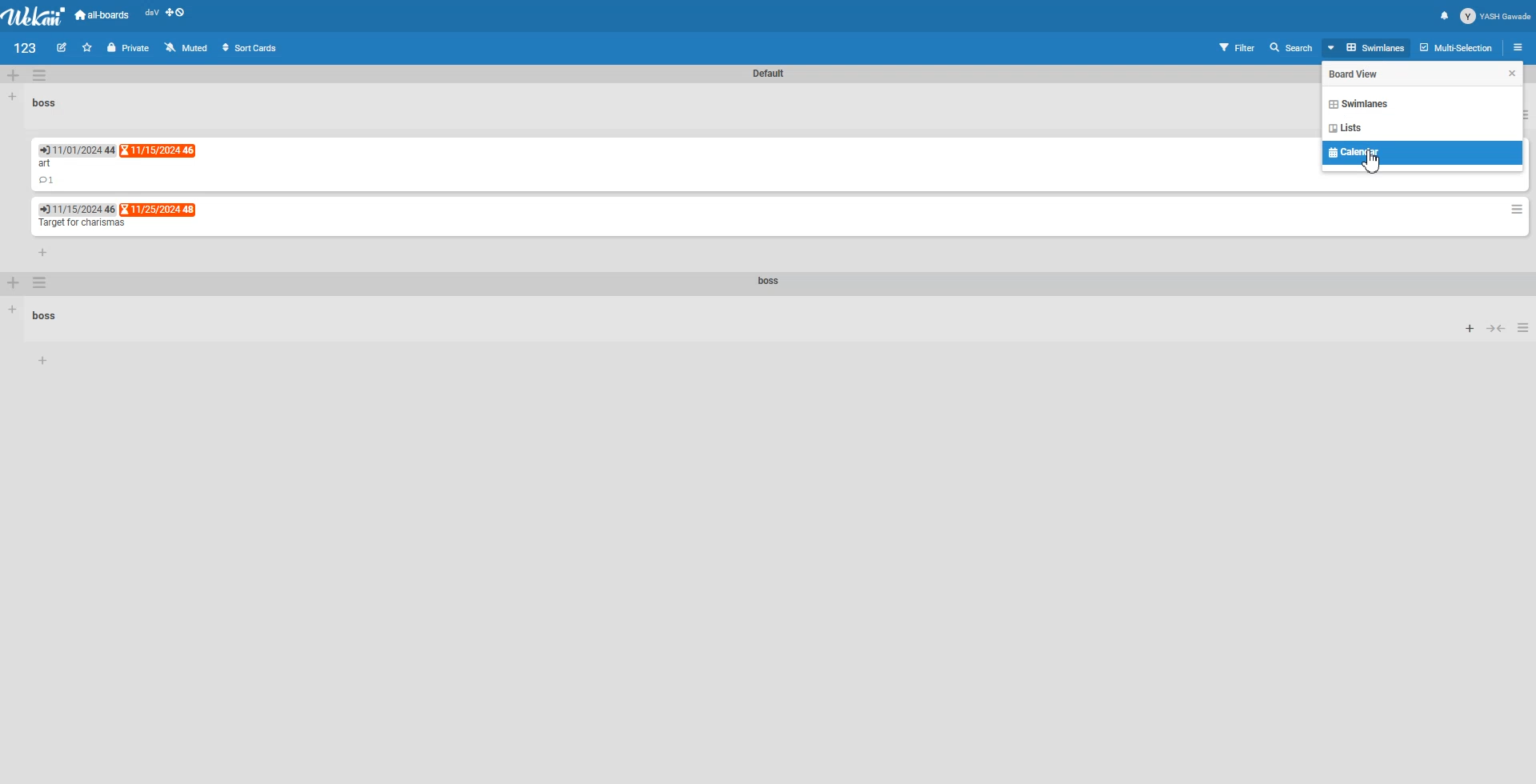  Describe the element at coordinates (1234, 47) in the screenshot. I see `Filter` at that location.